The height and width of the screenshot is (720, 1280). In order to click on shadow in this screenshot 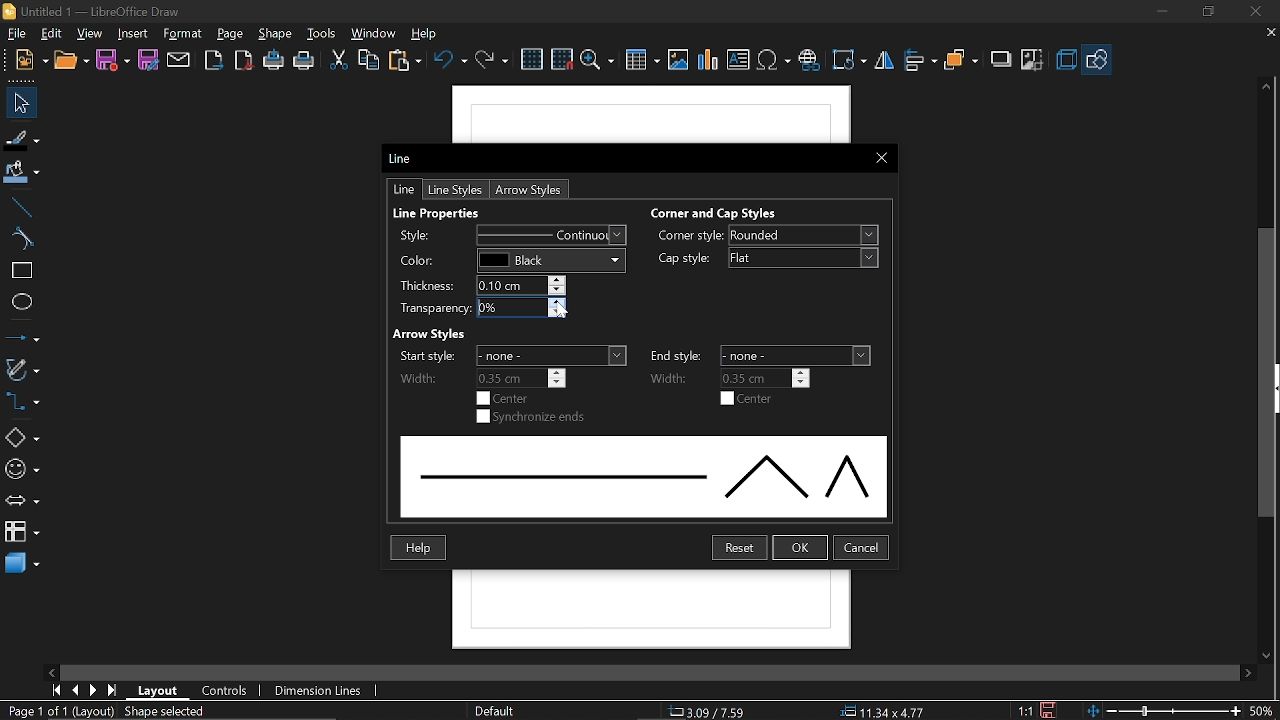, I will do `click(1001, 60)`.